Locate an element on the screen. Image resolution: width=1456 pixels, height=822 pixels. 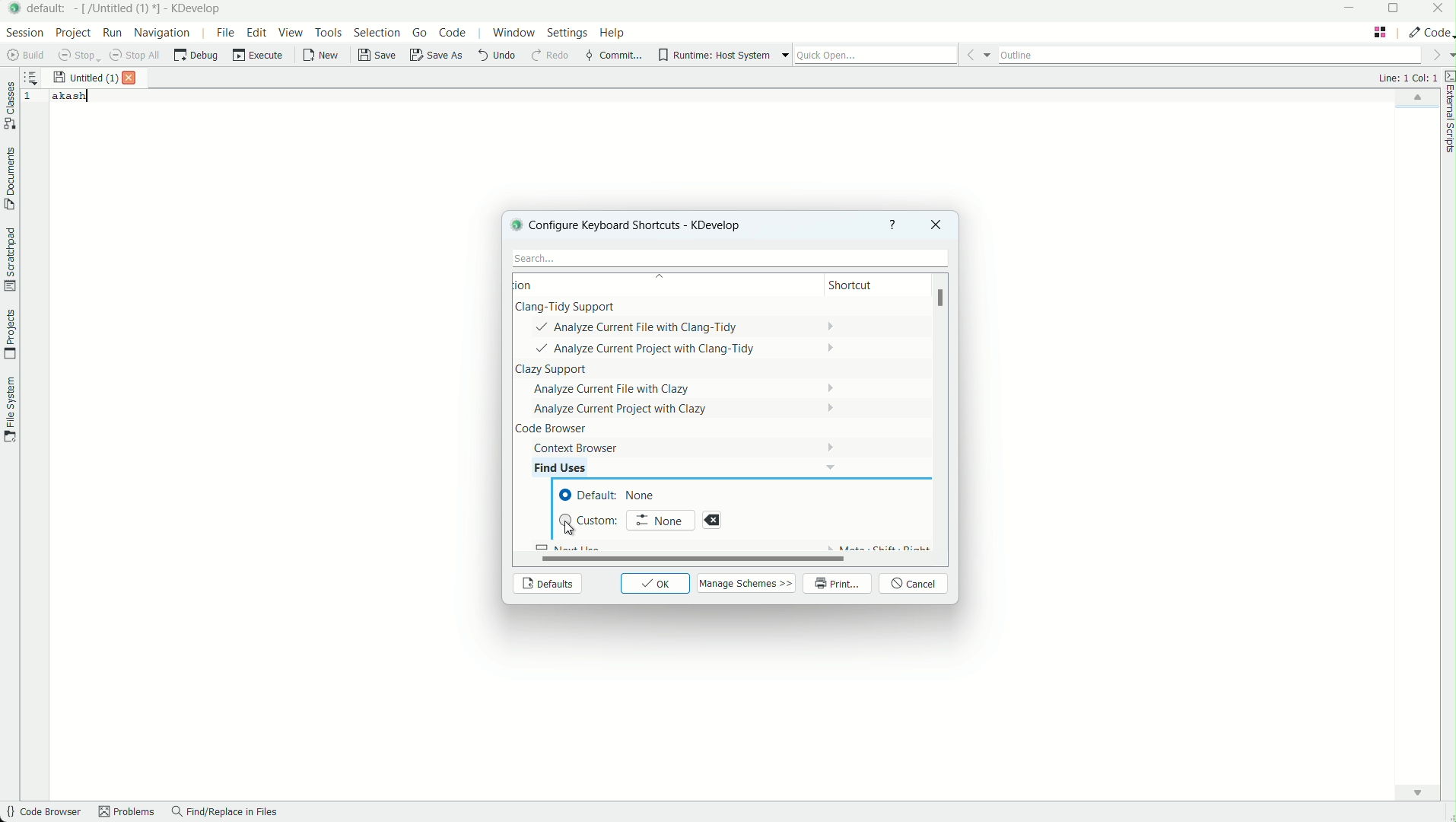
Custom Shortcut is located at coordinates (590, 520).